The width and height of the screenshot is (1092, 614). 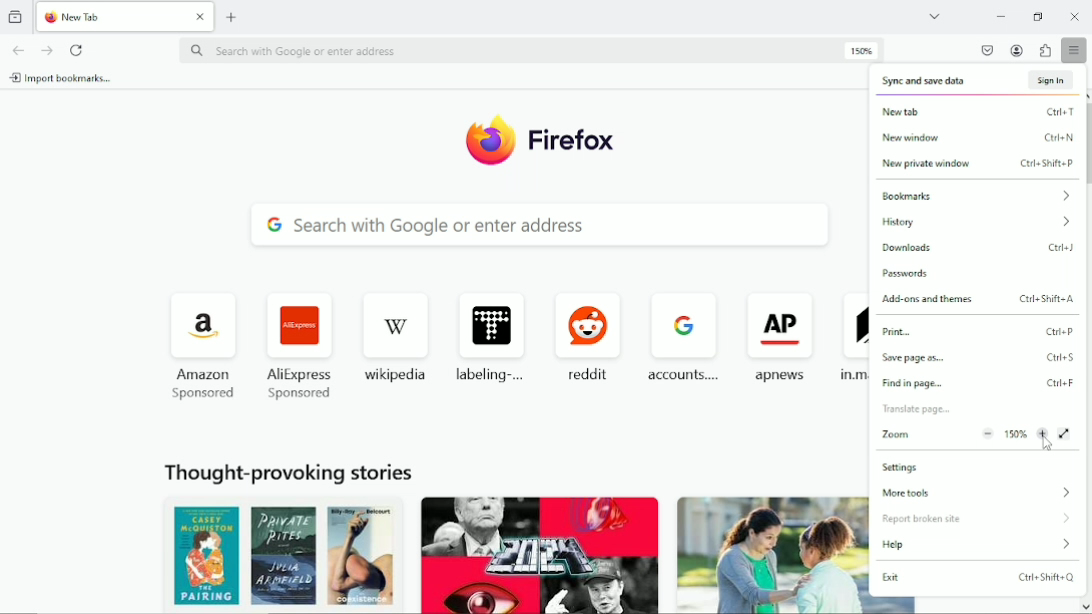 I want to click on new tab, so click(x=972, y=112).